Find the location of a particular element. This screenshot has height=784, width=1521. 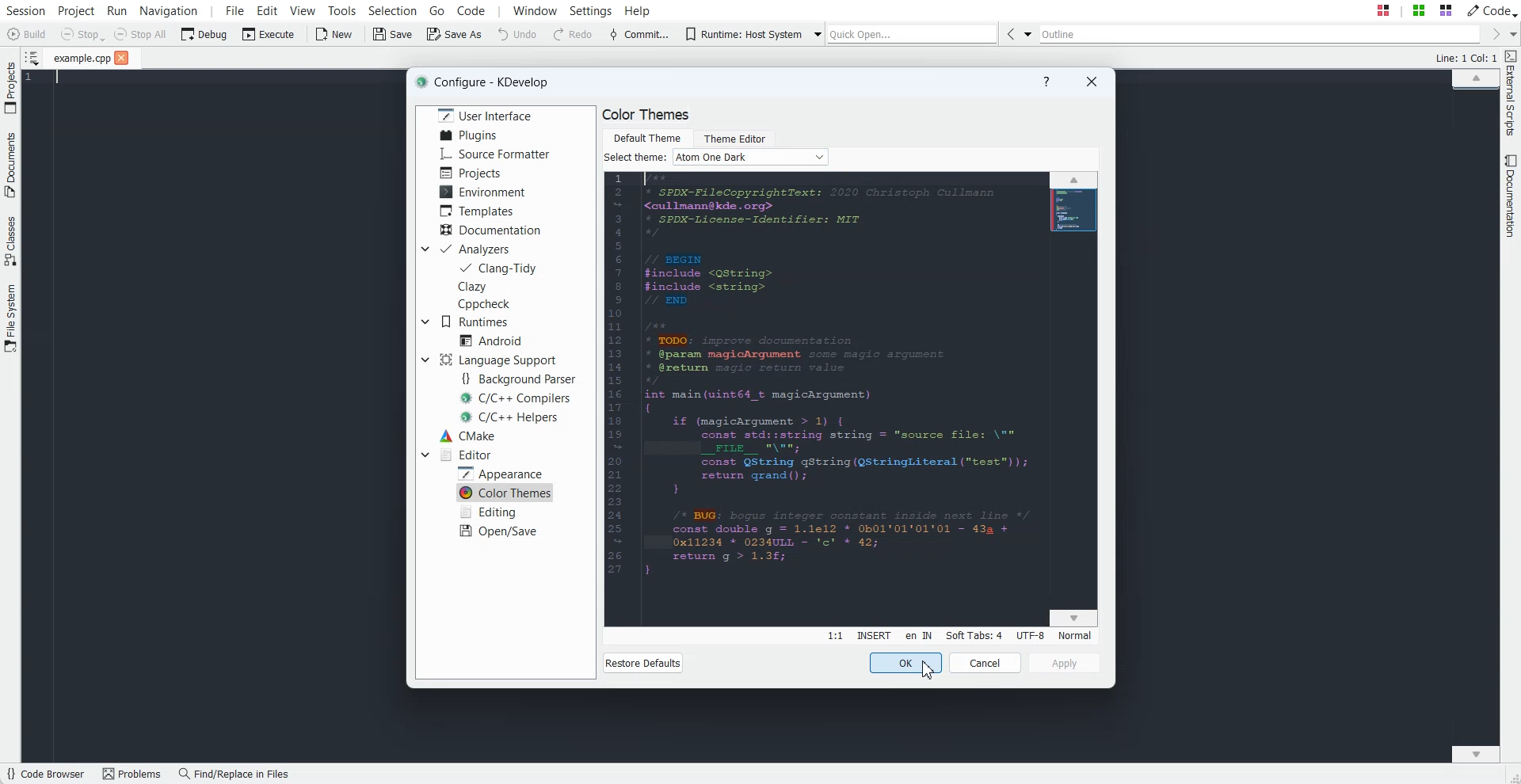

Runtimes is located at coordinates (480, 322).